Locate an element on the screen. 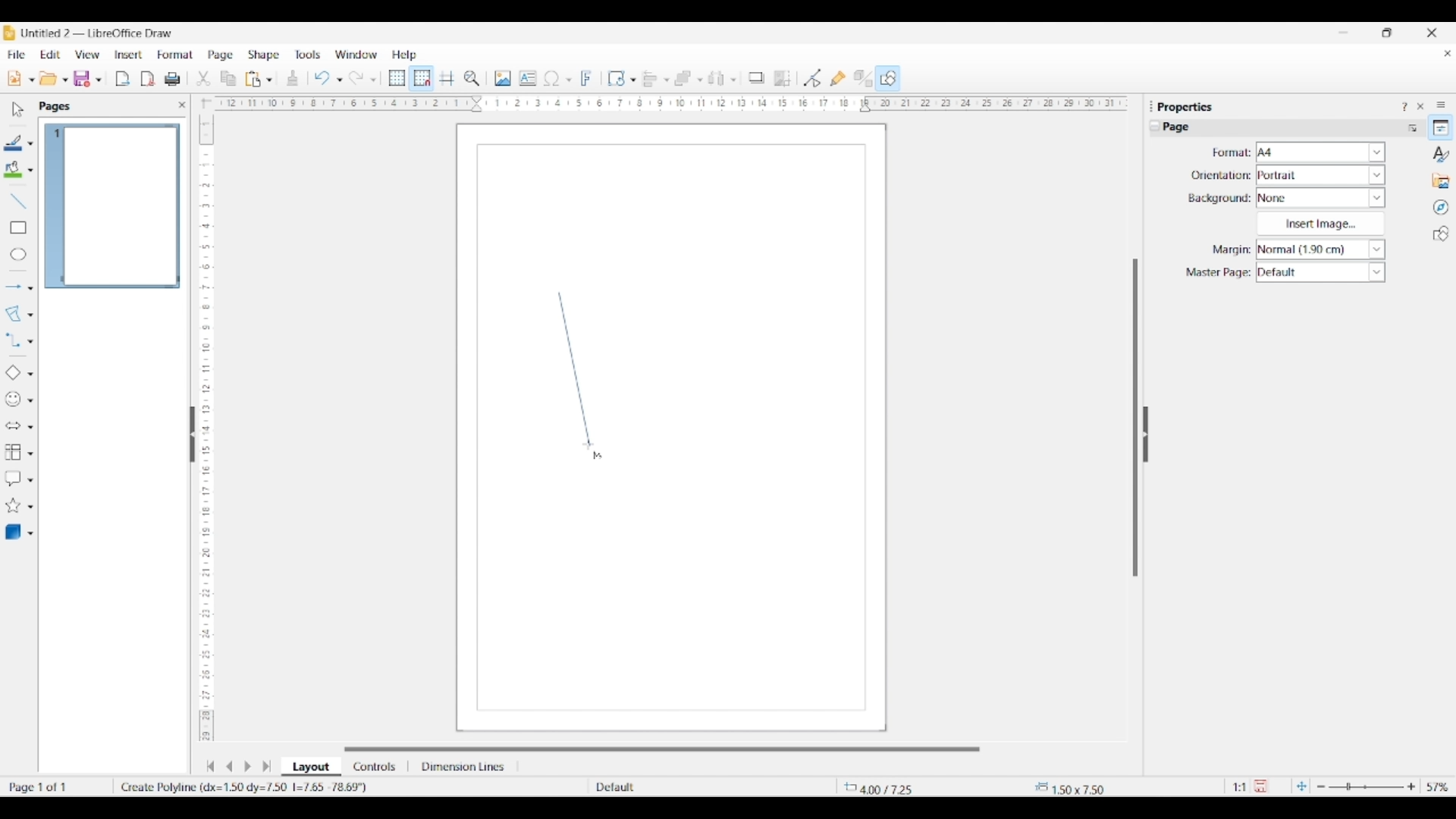 This screenshot has width=1456, height=819. Connector options is located at coordinates (30, 341).